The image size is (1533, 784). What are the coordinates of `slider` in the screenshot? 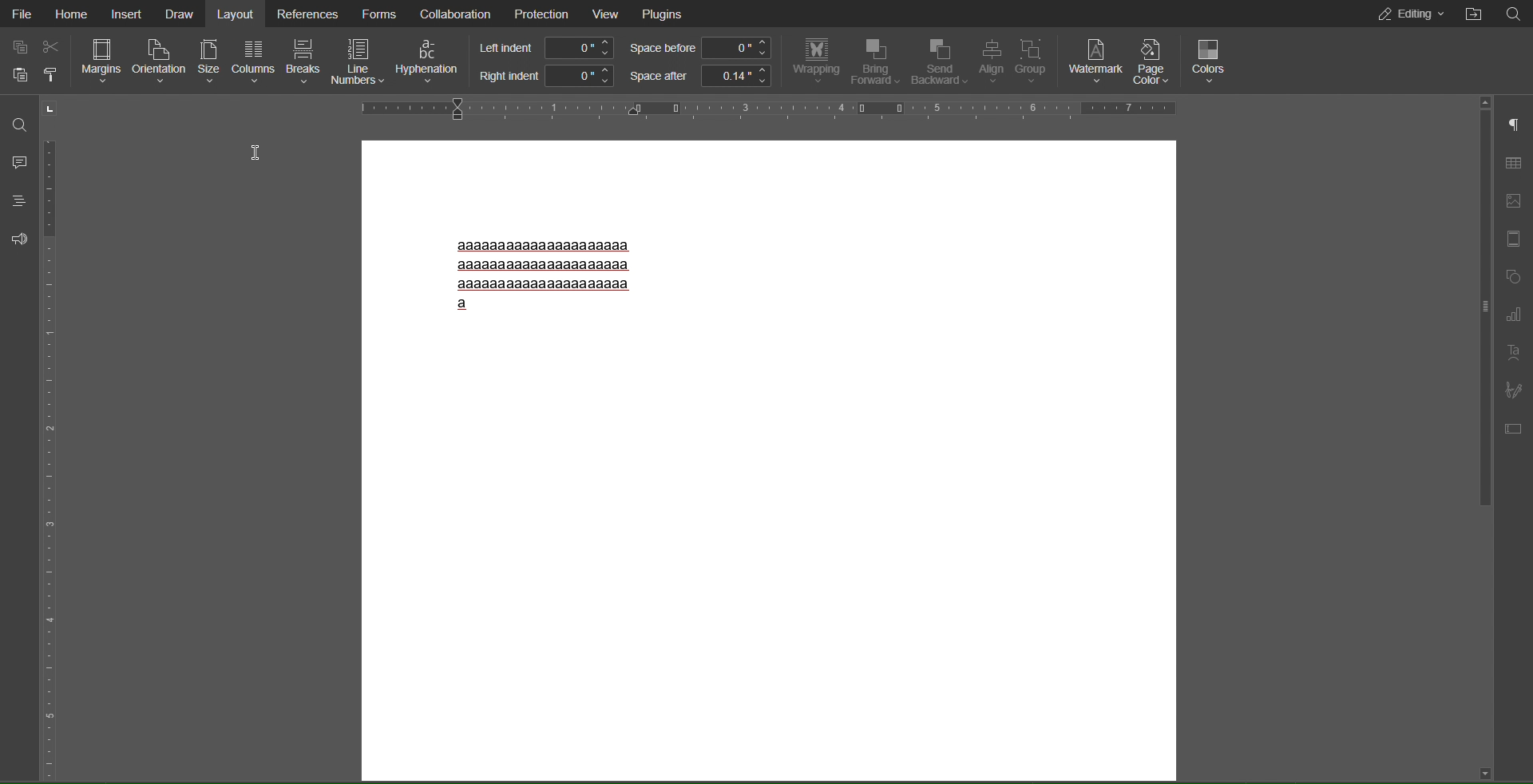 It's located at (1478, 302).